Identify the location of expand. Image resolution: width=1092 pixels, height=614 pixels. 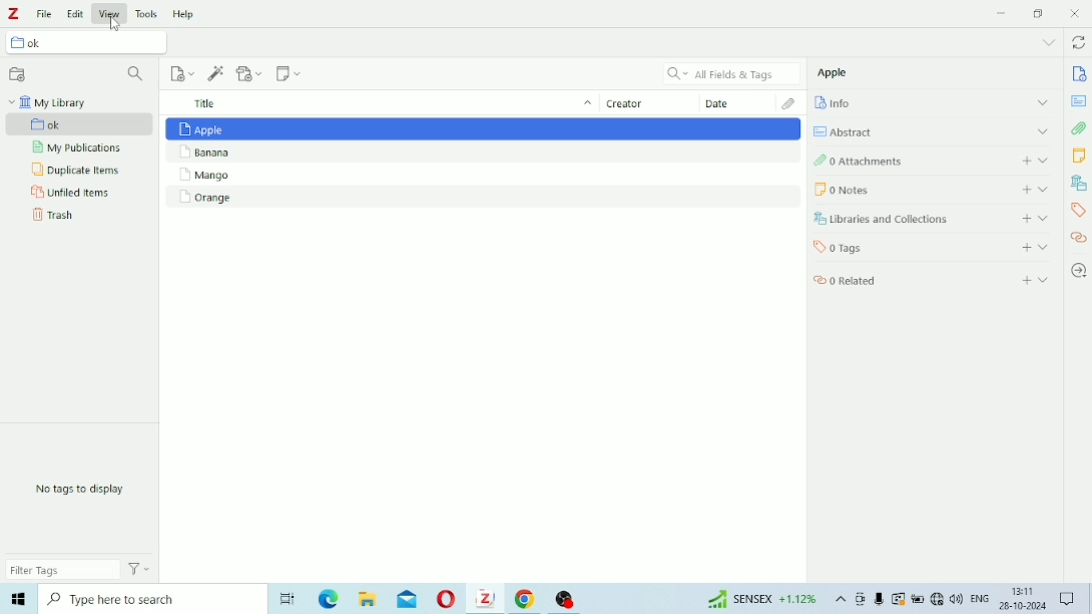
(1039, 101).